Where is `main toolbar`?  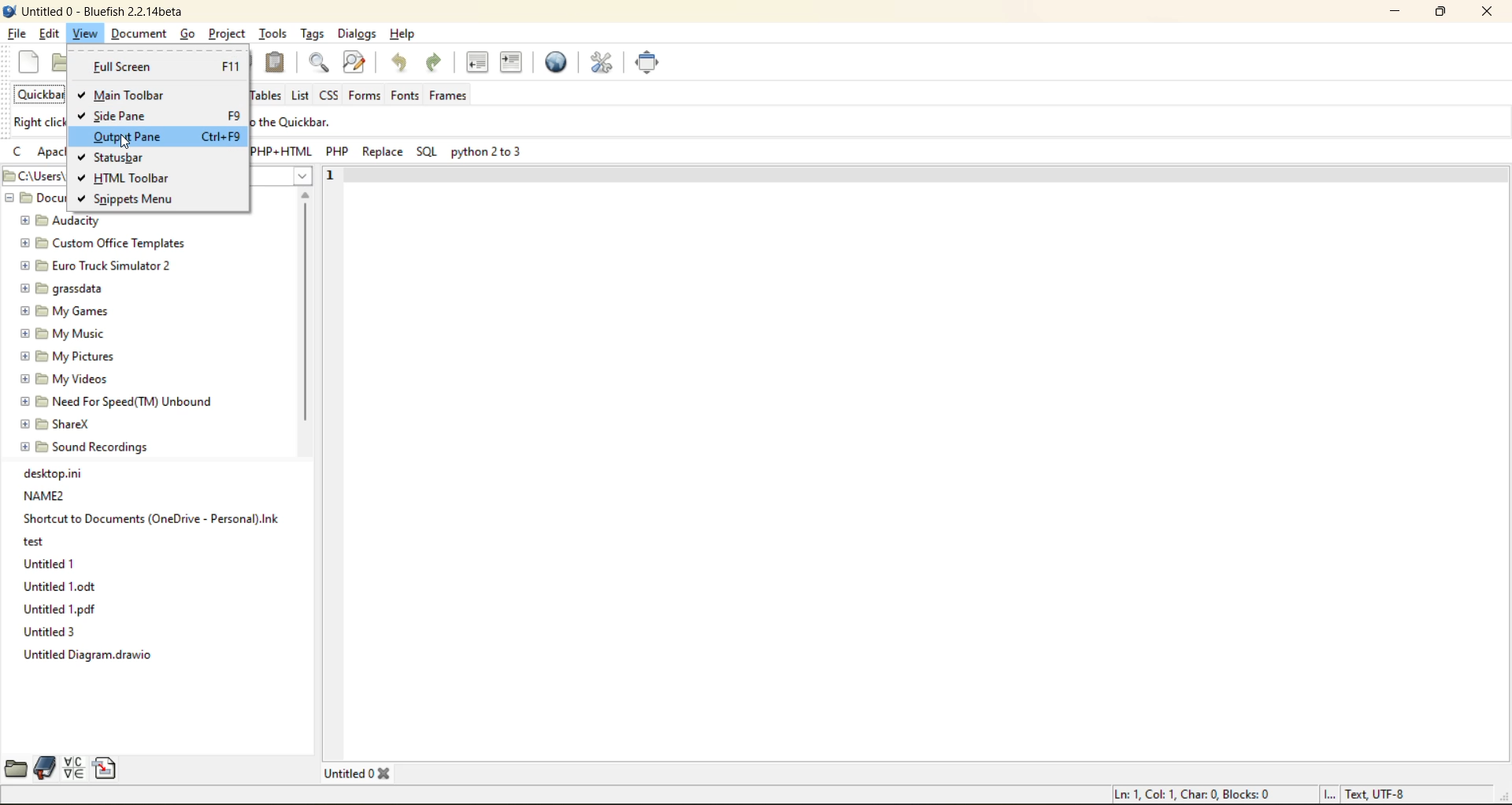
main toolbar is located at coordinates (133, 94).